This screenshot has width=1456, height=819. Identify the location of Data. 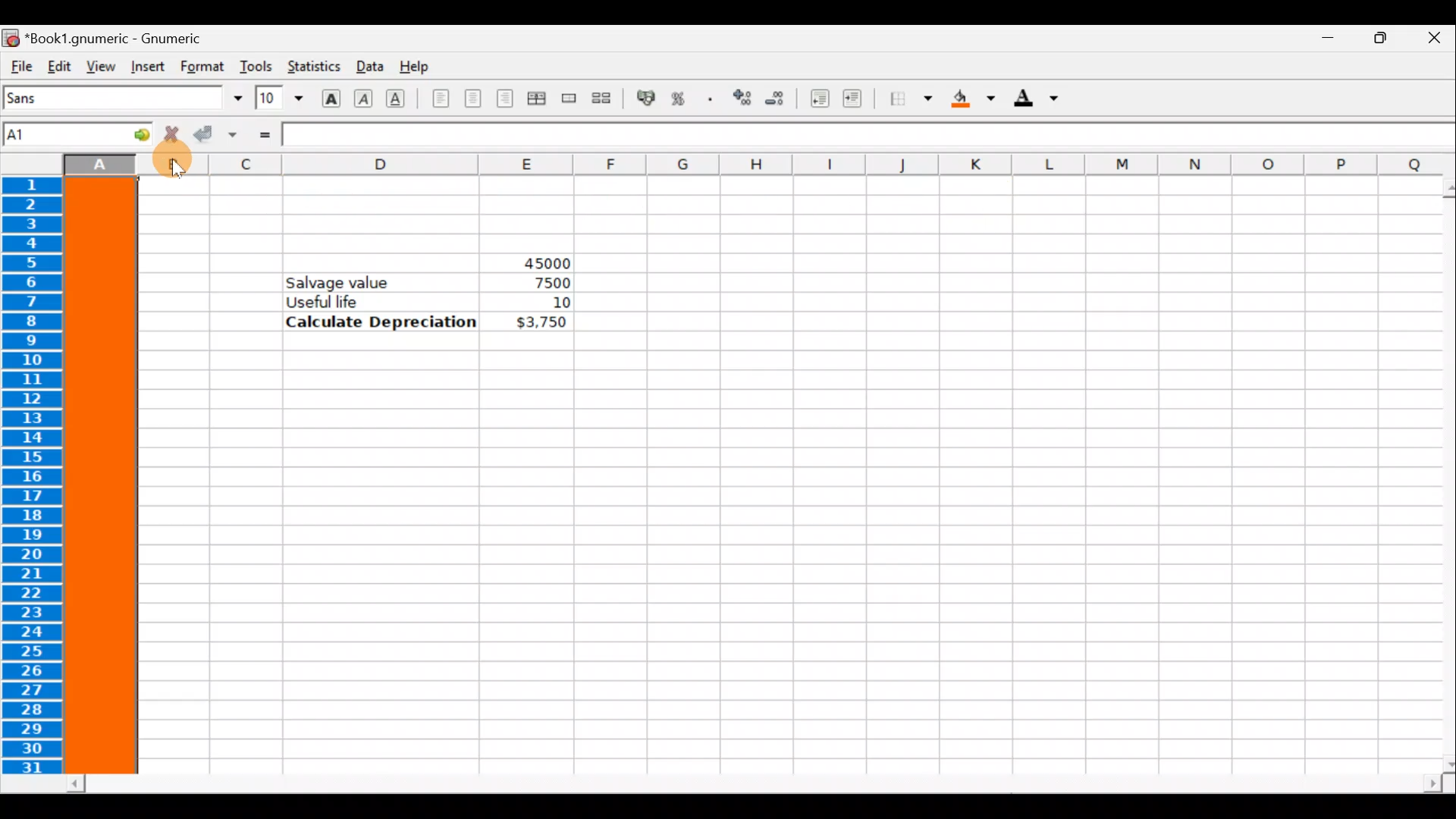
(368, 65).